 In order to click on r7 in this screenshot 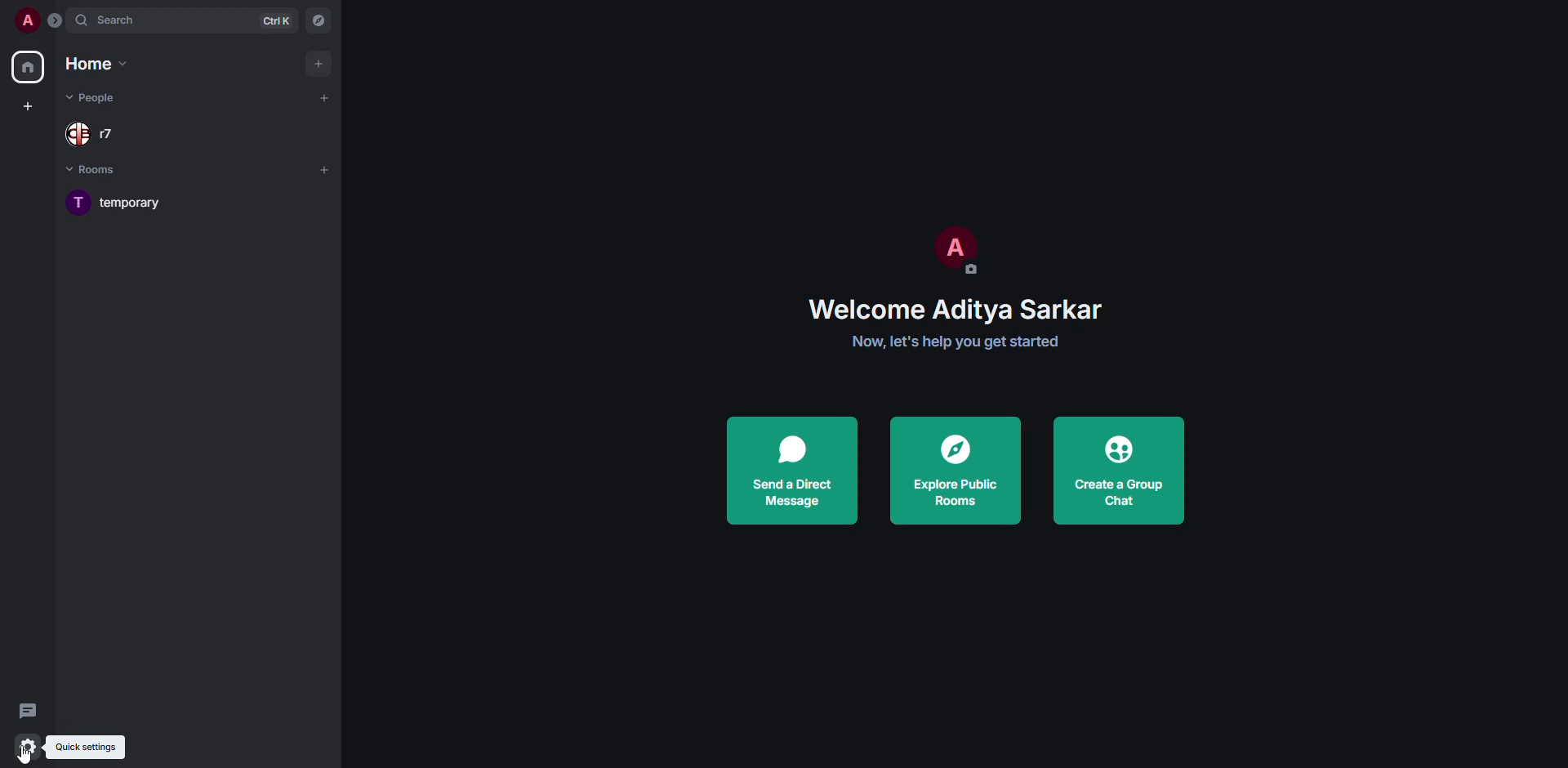, I will do `click(90, 130)`.